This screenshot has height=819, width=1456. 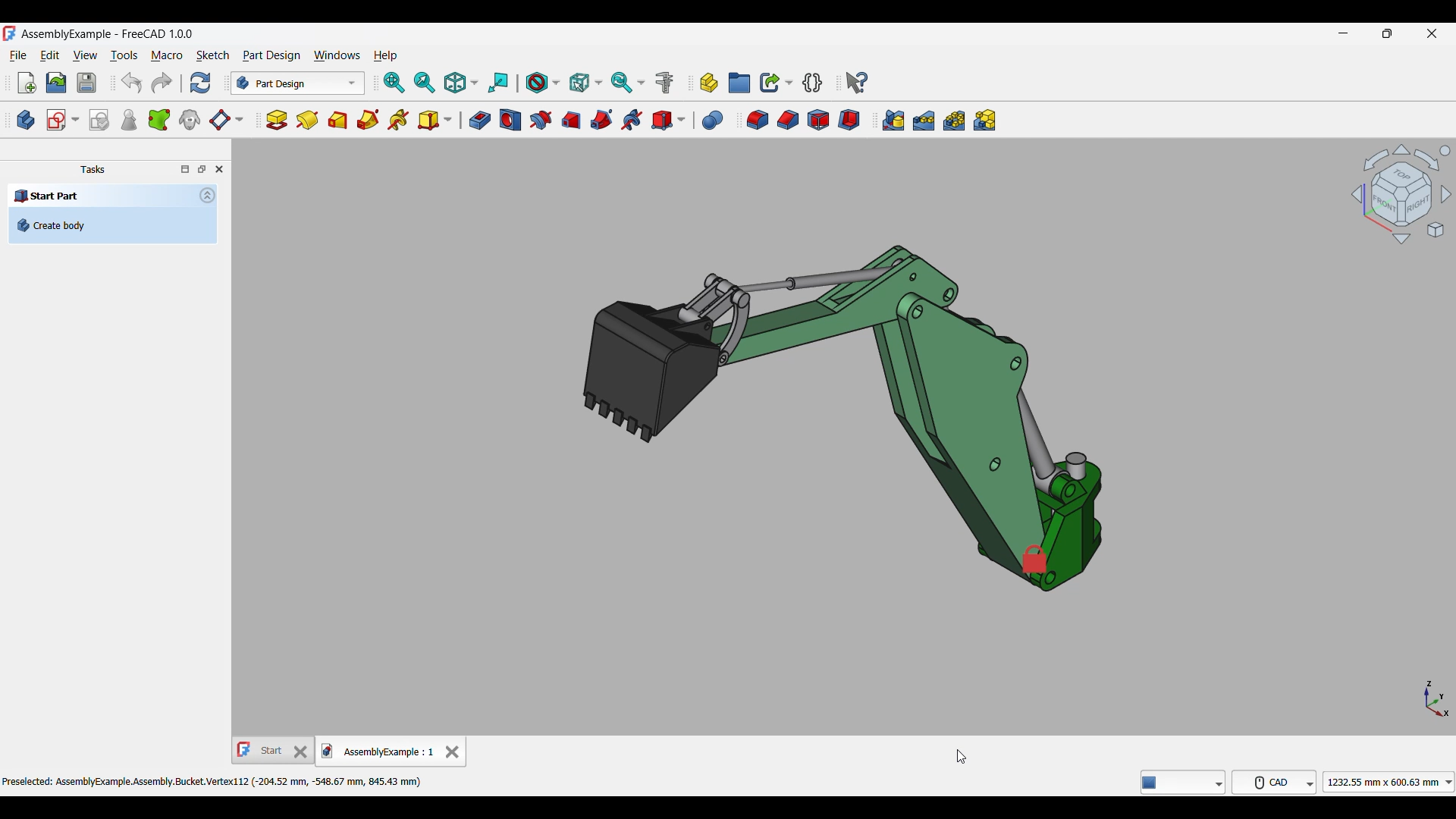 What do you see at coordinates (9, 33) in the screenshot?
I see `Software logo` at bounding box center [9, 33].